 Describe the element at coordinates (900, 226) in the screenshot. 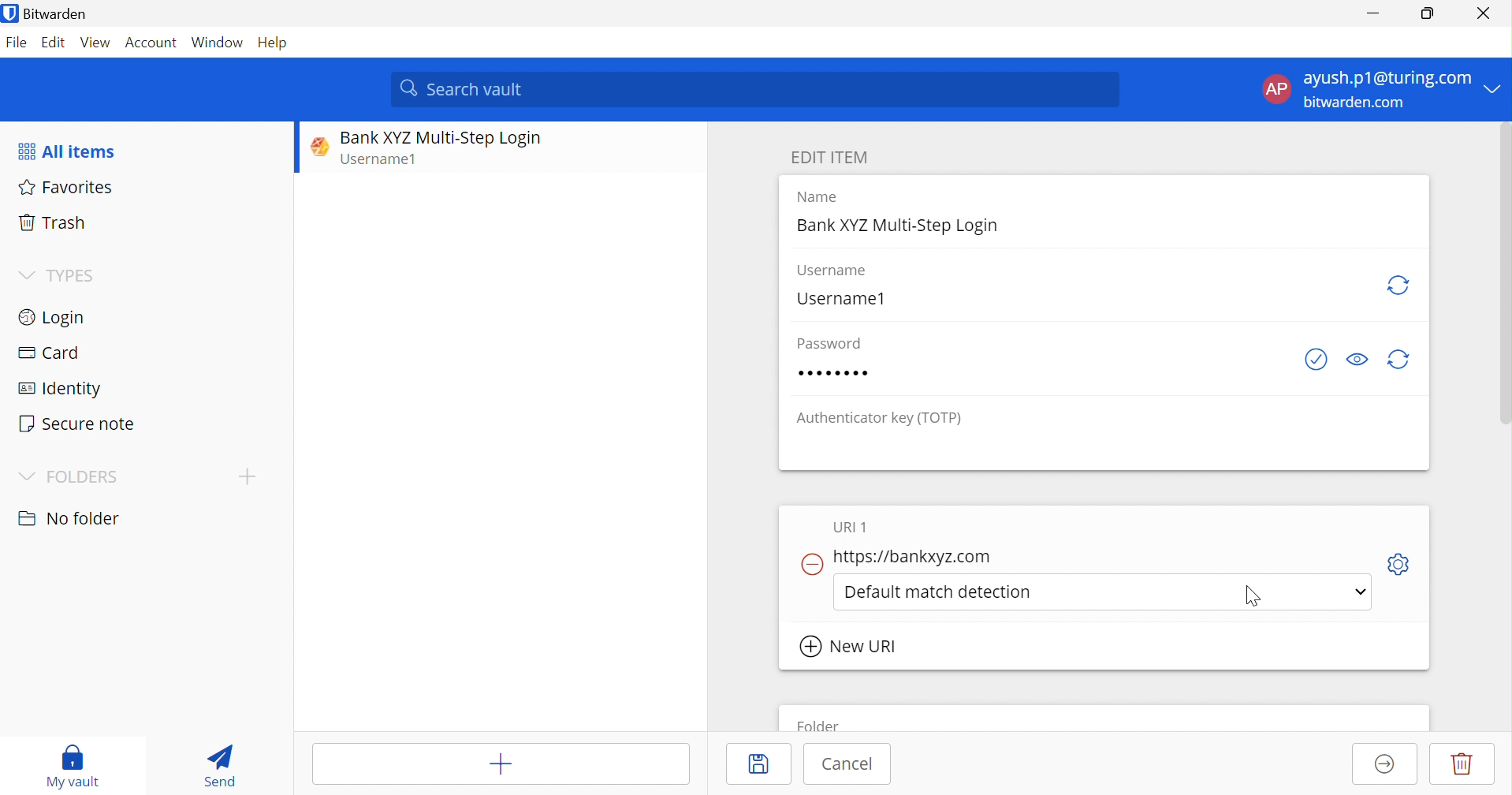

I see `Bank XYZ Multi-Step Login` at that location.